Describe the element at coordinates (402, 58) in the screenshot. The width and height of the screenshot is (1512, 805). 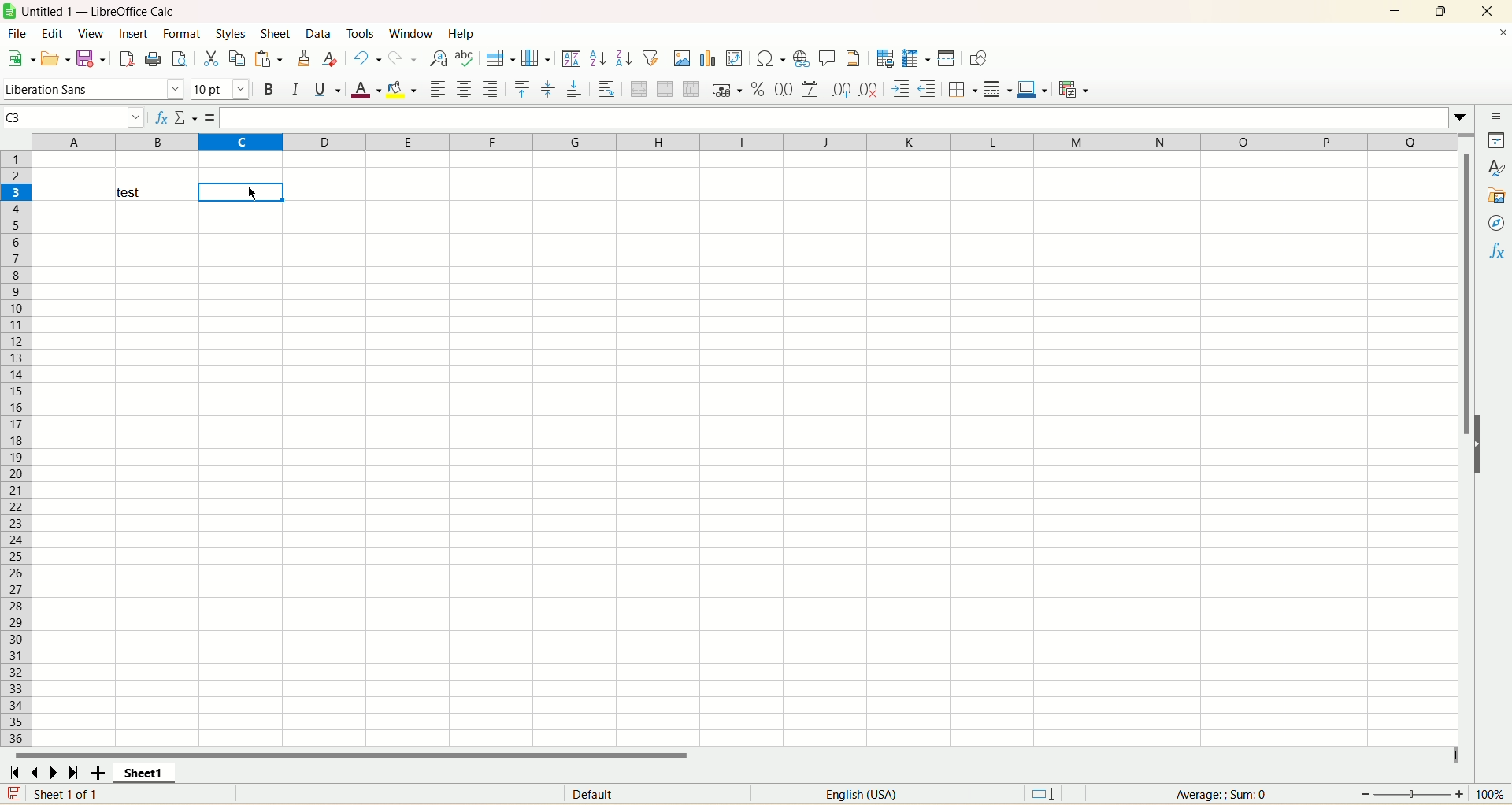
I see `redo` at that location.